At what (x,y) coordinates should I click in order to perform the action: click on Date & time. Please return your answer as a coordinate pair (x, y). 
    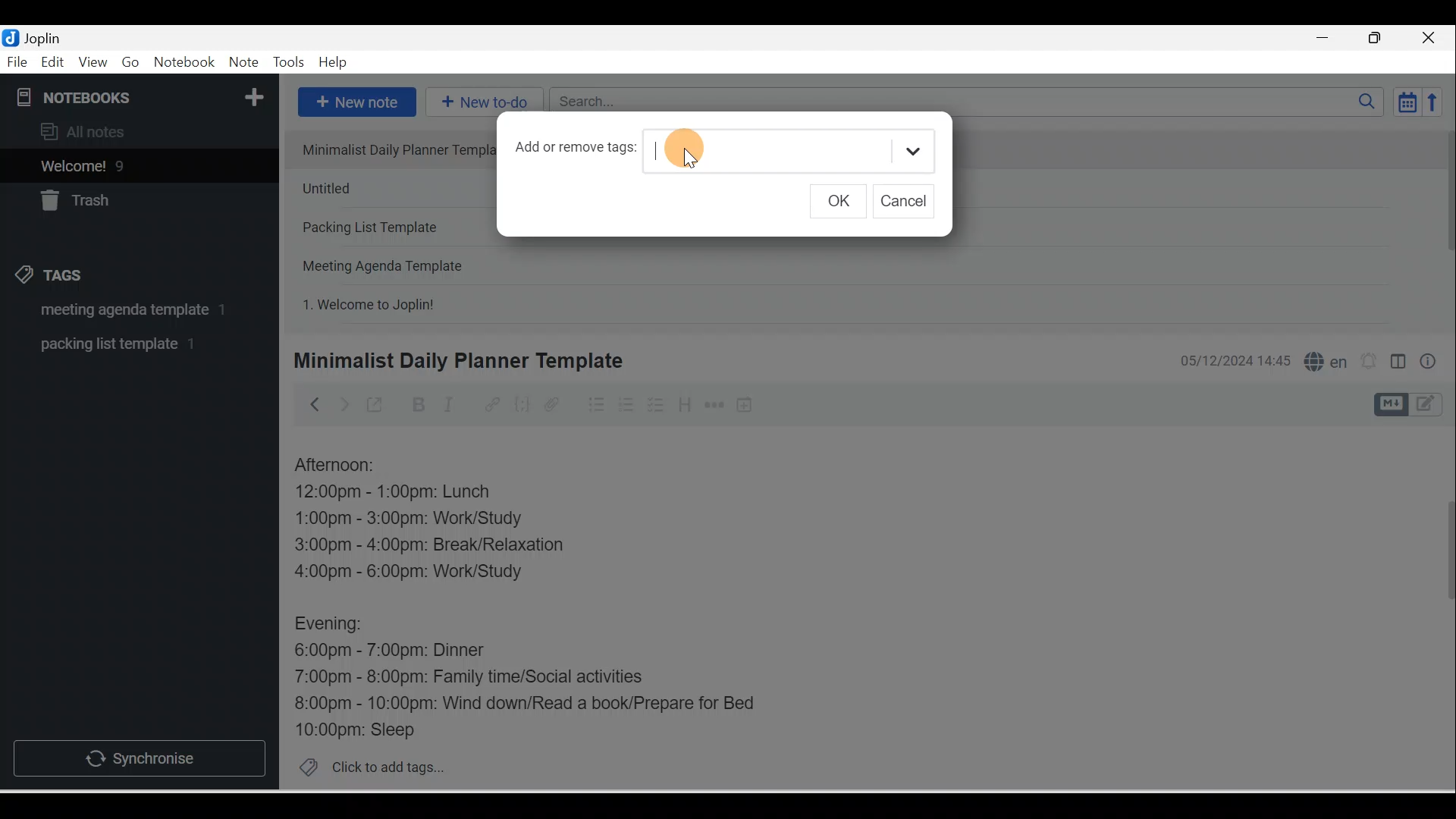
    Looking at the image, I should click on (1232, 361).